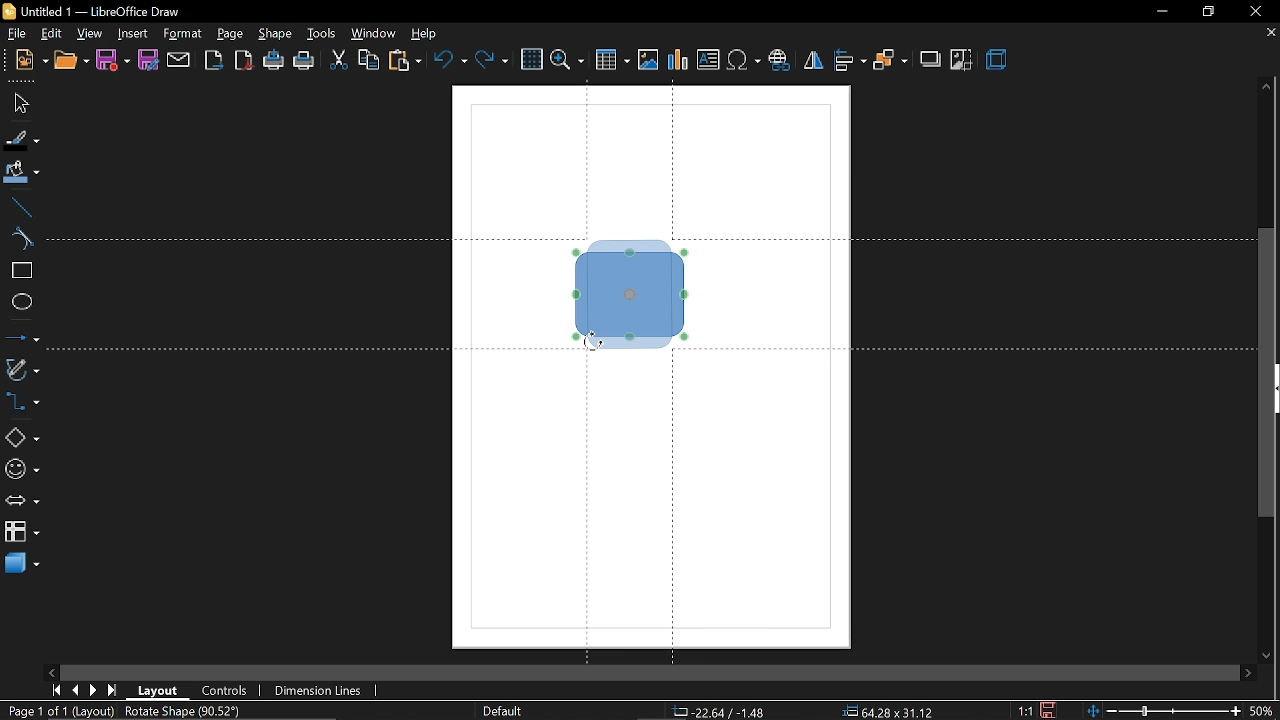  What do you see at coordinates (676, 60) in the screenshot?
I see `insert chart` at bounding box center [676, 60].